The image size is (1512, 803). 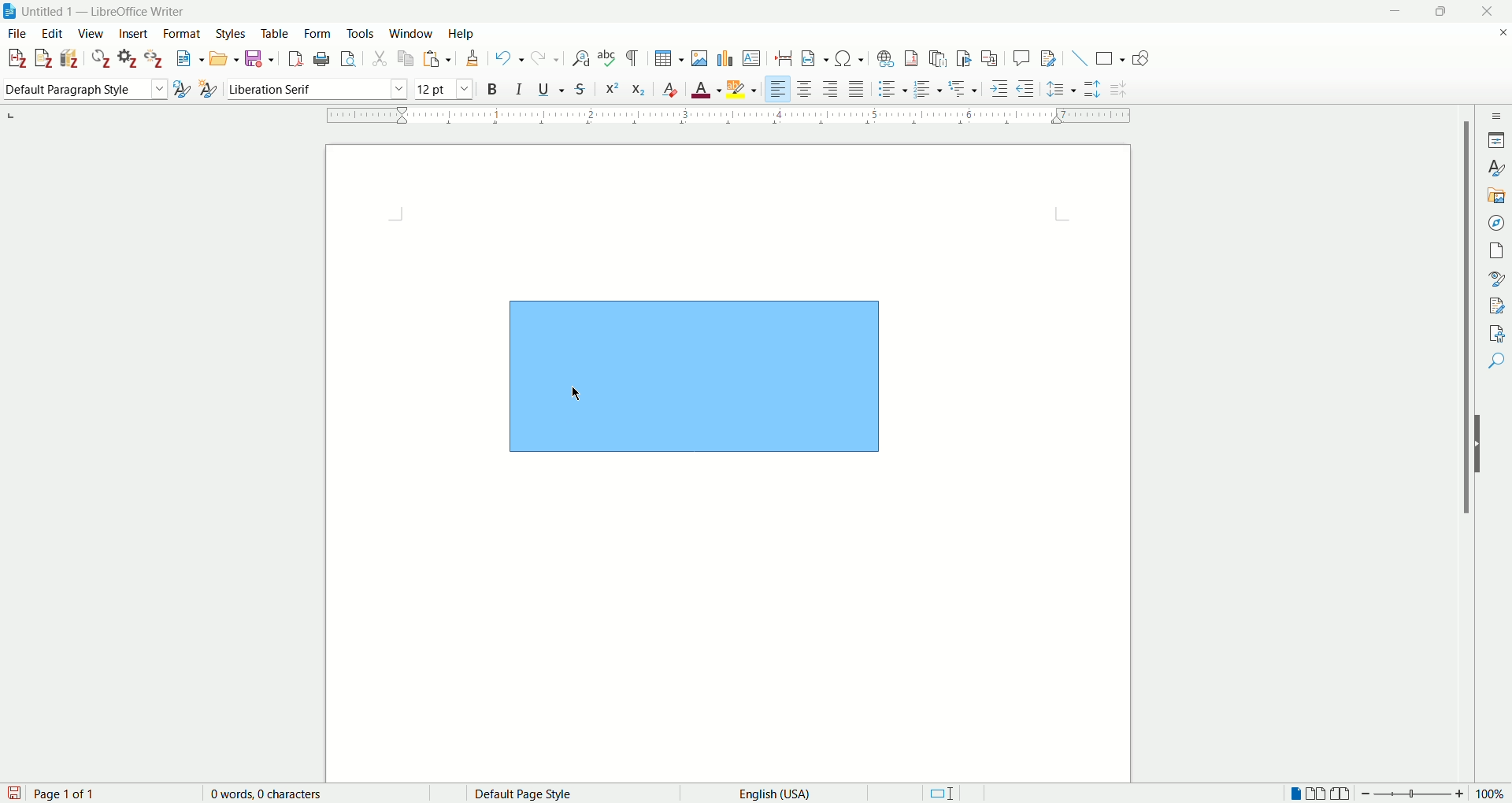 I want to click on increase paragraph spacing, so click(x=1091, y=87).